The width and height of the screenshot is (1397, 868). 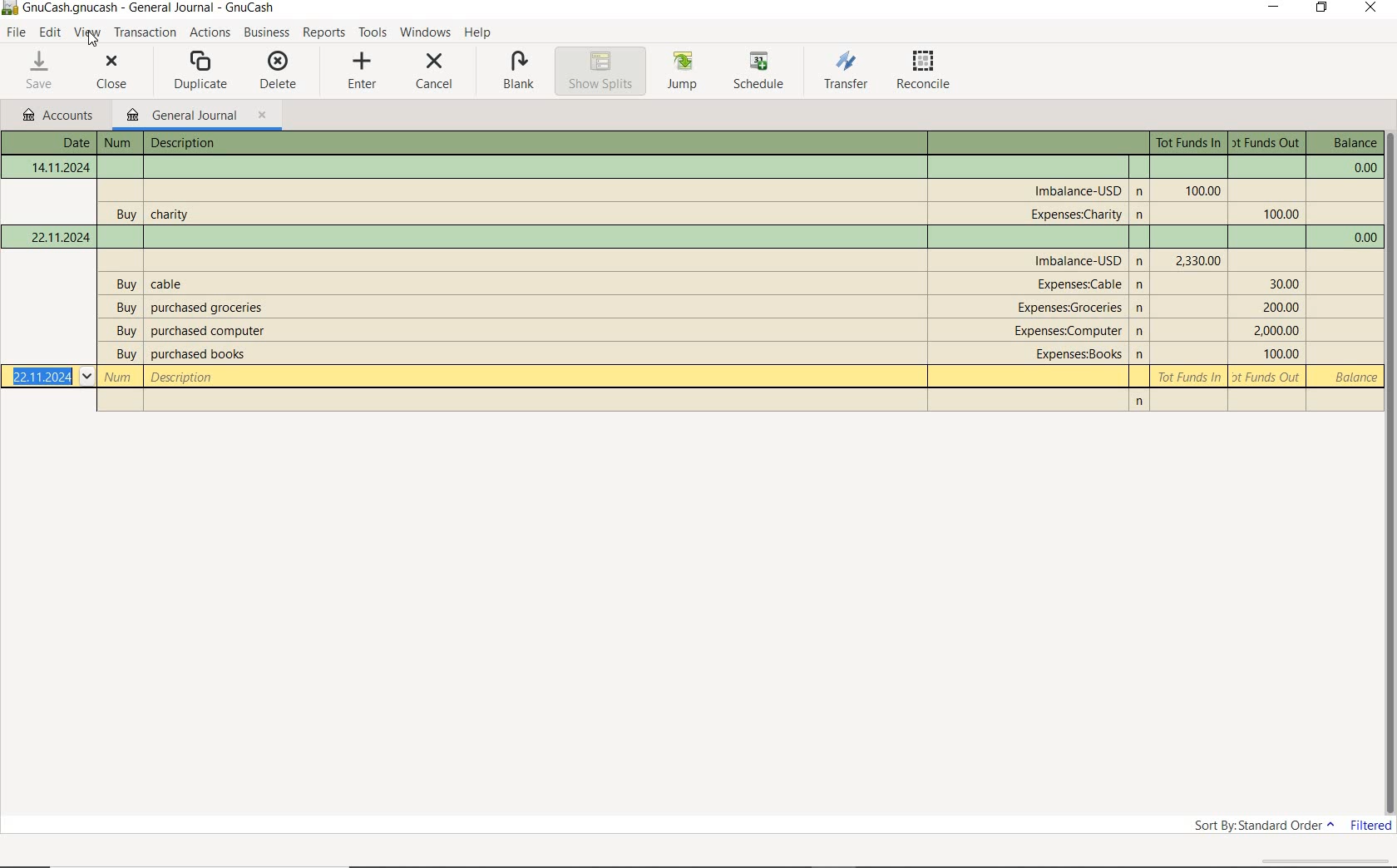 I want to click on , so click(x=1142, y=263).